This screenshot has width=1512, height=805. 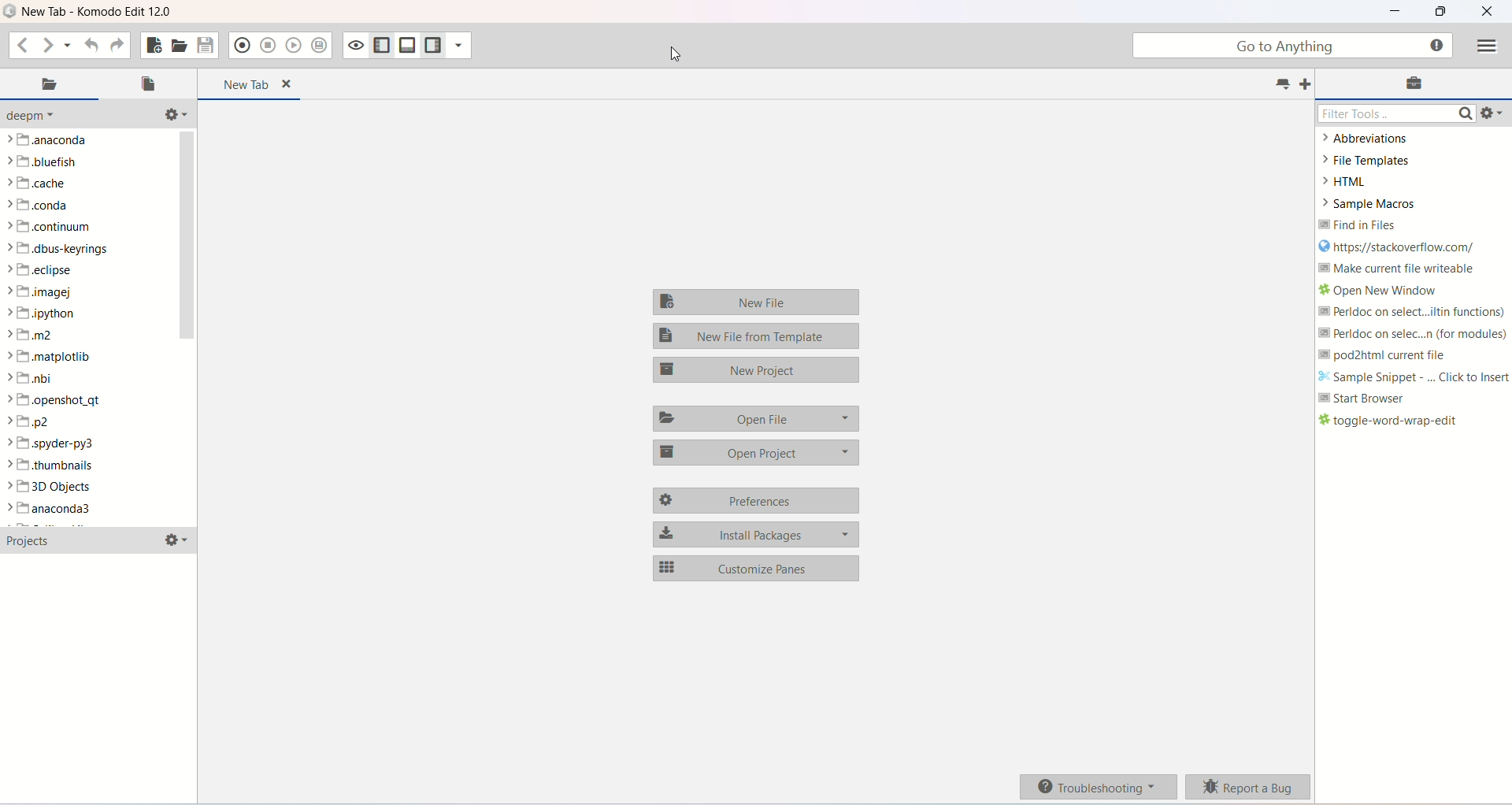 I want to click on toggle word wrap edit, so click(x=1387, y=421).